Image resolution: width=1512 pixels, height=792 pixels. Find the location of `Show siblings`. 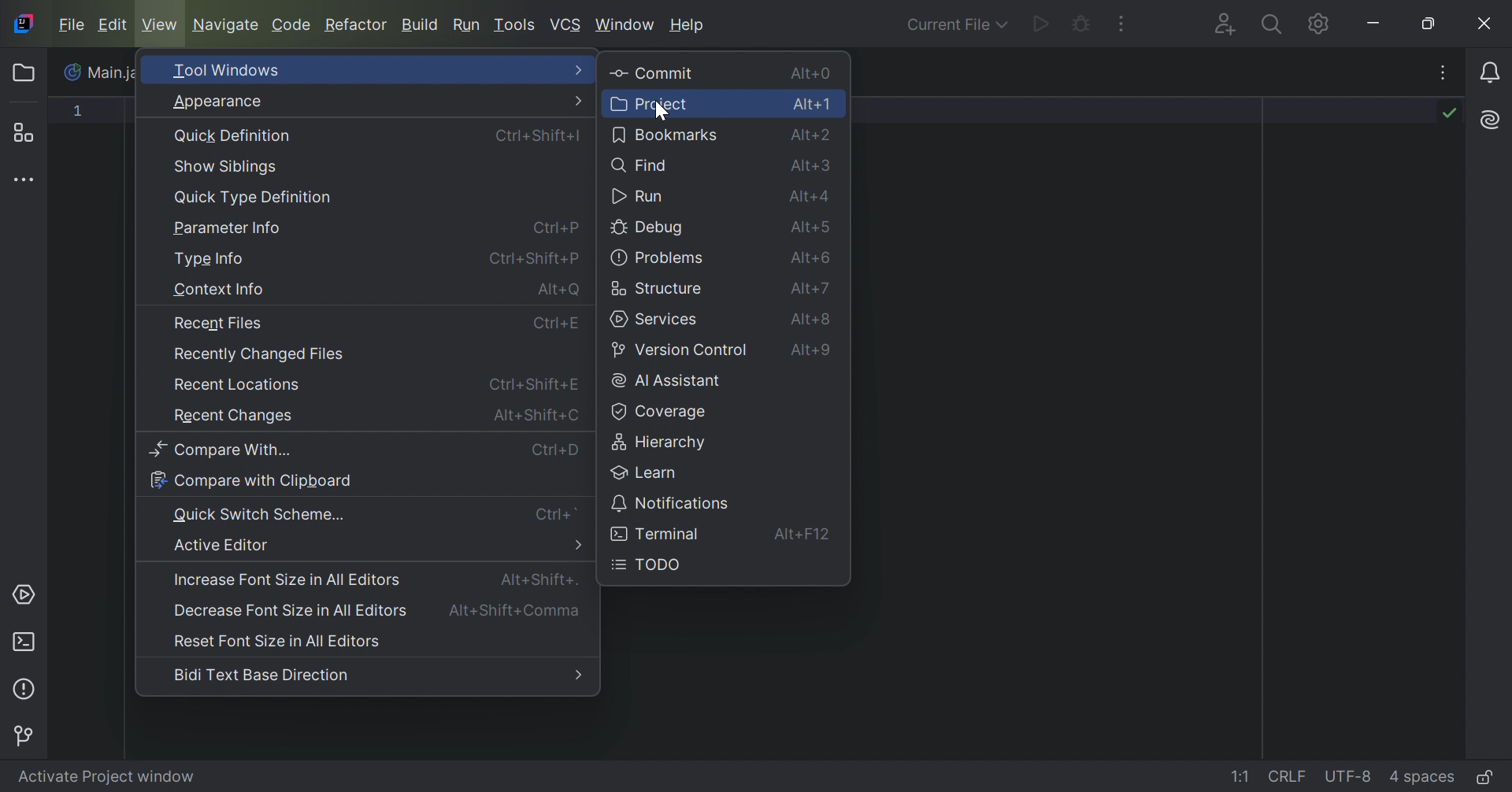

Show siblings is located at coordinates (228, 167).